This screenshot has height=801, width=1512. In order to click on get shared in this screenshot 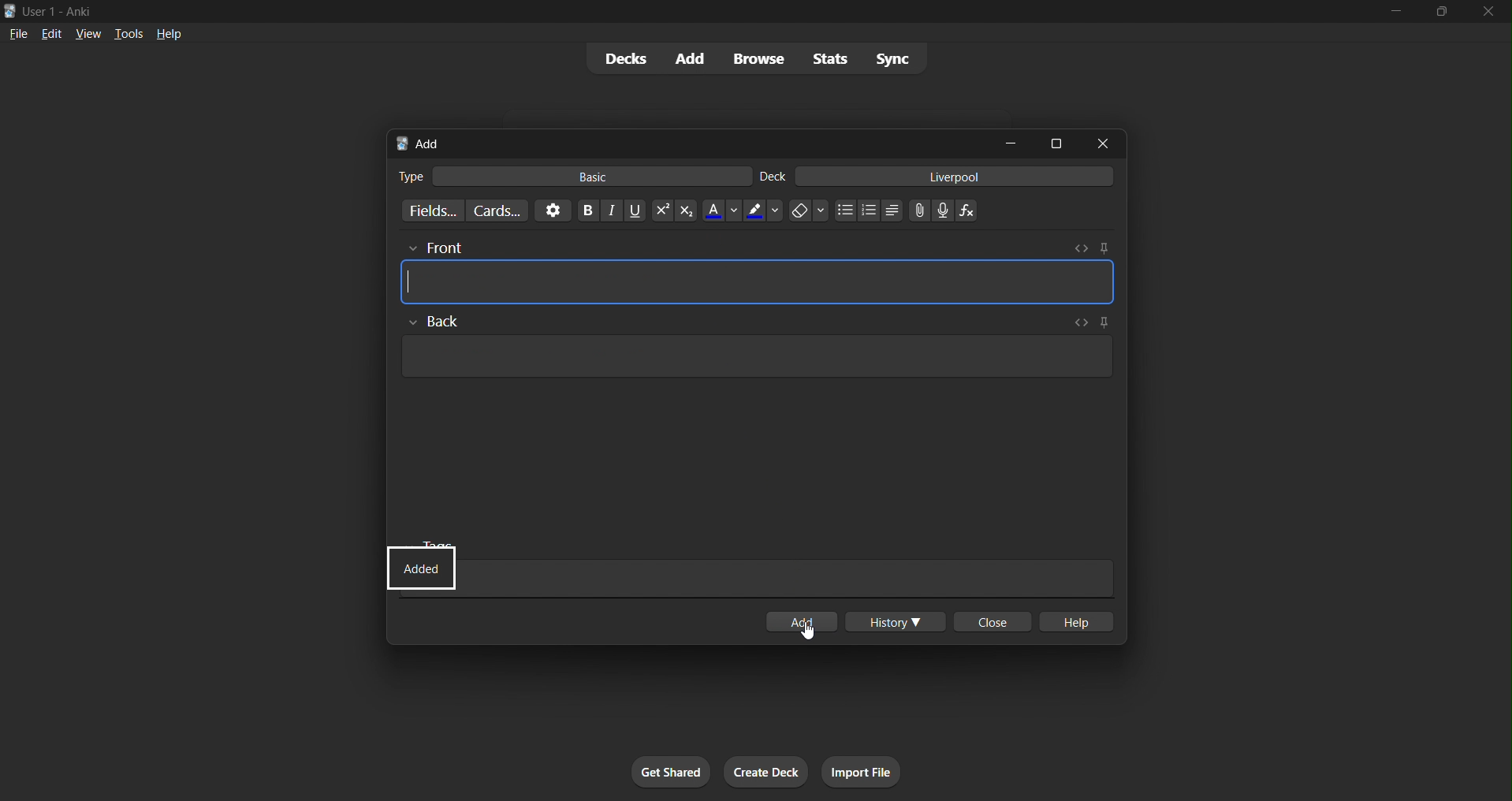, I will do `click(665, 773)`.